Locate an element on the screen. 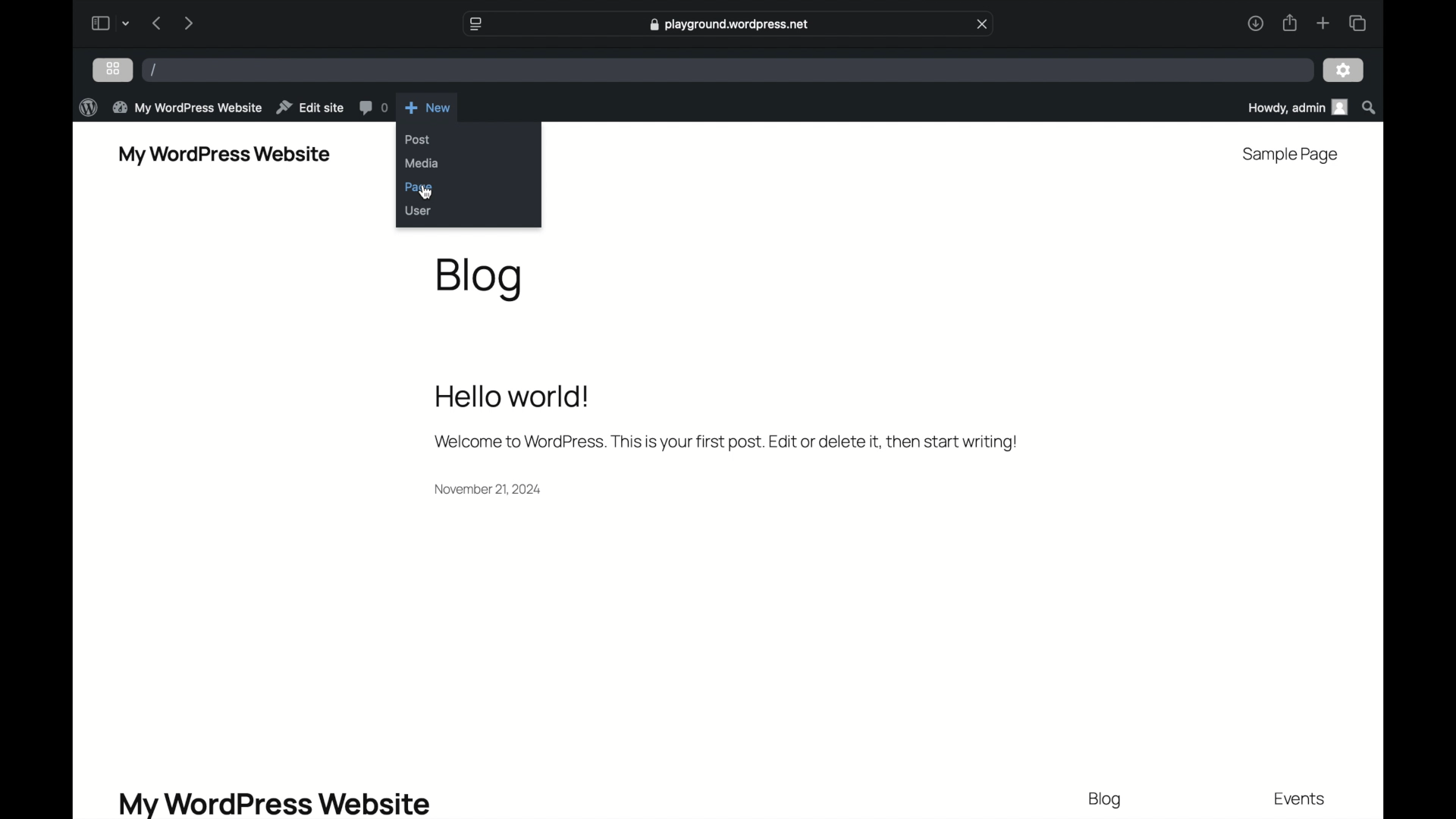 This screenshot has width=1456, height=819. blog is located at coordinates (481, 278).